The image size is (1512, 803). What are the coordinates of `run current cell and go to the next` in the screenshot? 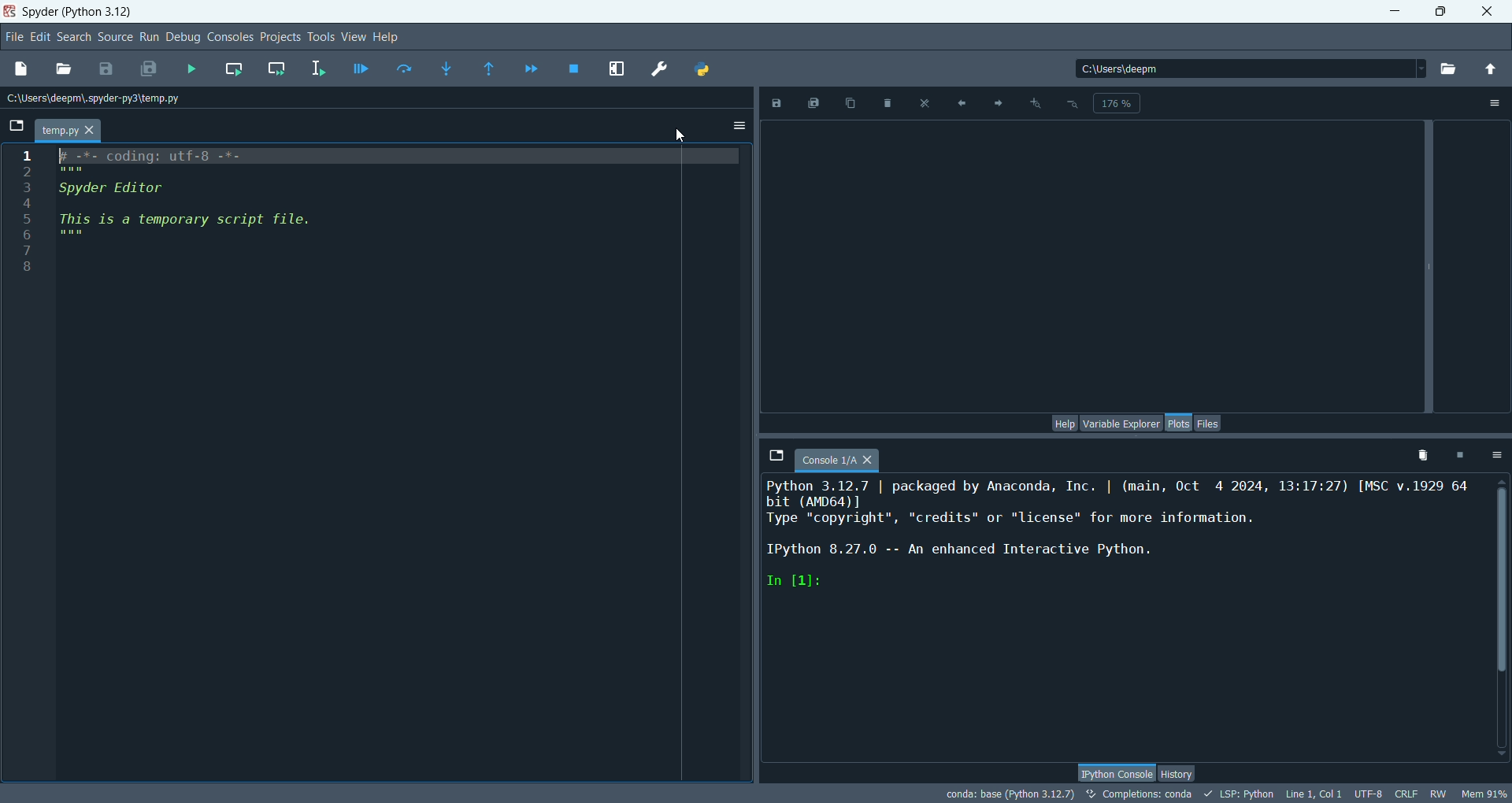 It's located at (283, 71).